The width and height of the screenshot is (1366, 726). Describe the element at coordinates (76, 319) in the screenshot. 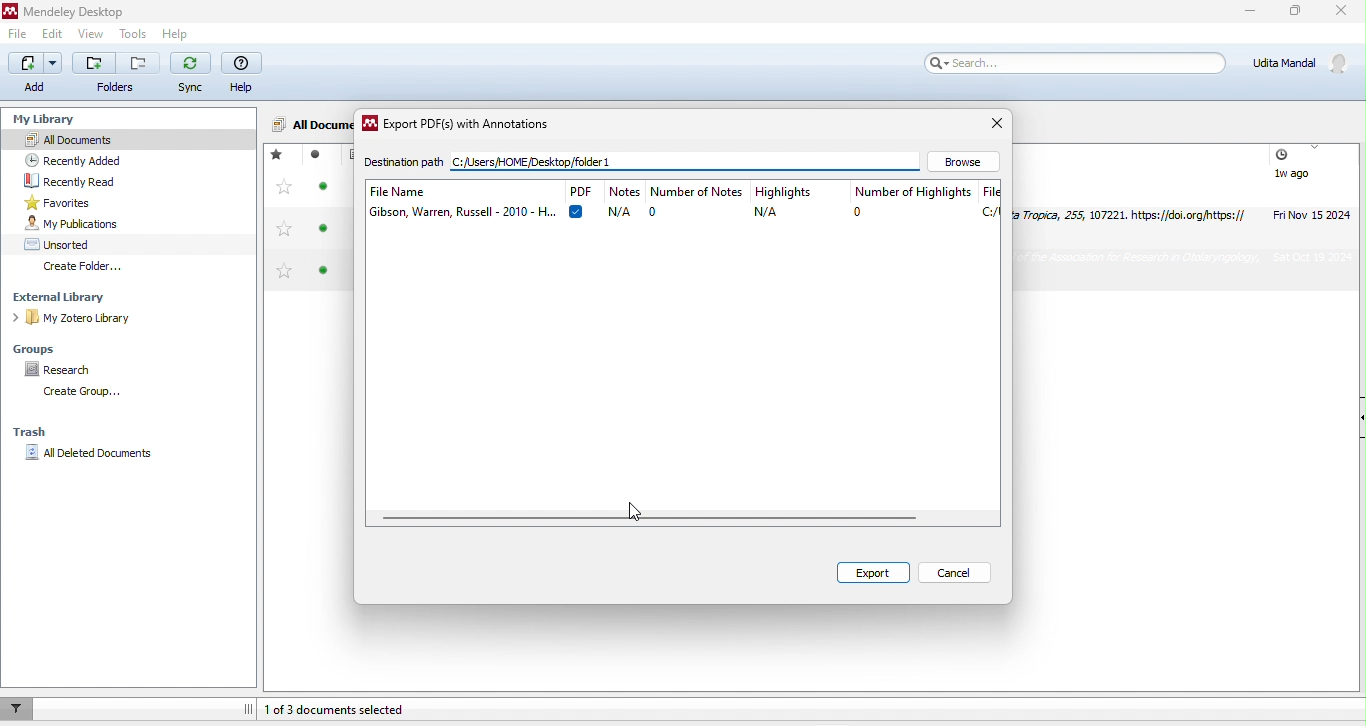

I see `my zotero library` at that location.